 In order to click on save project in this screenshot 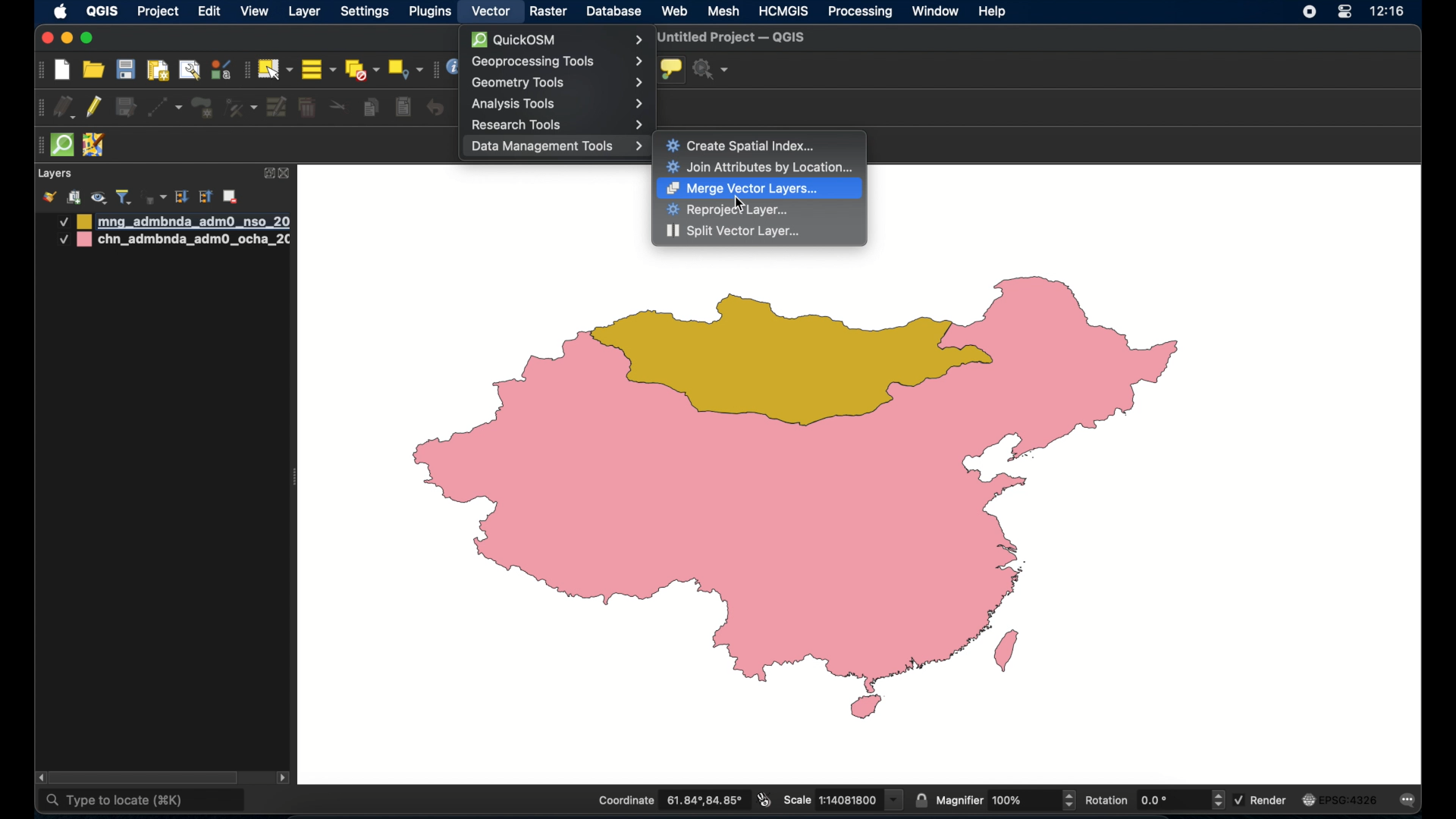, I will do `click(125, 71)`.